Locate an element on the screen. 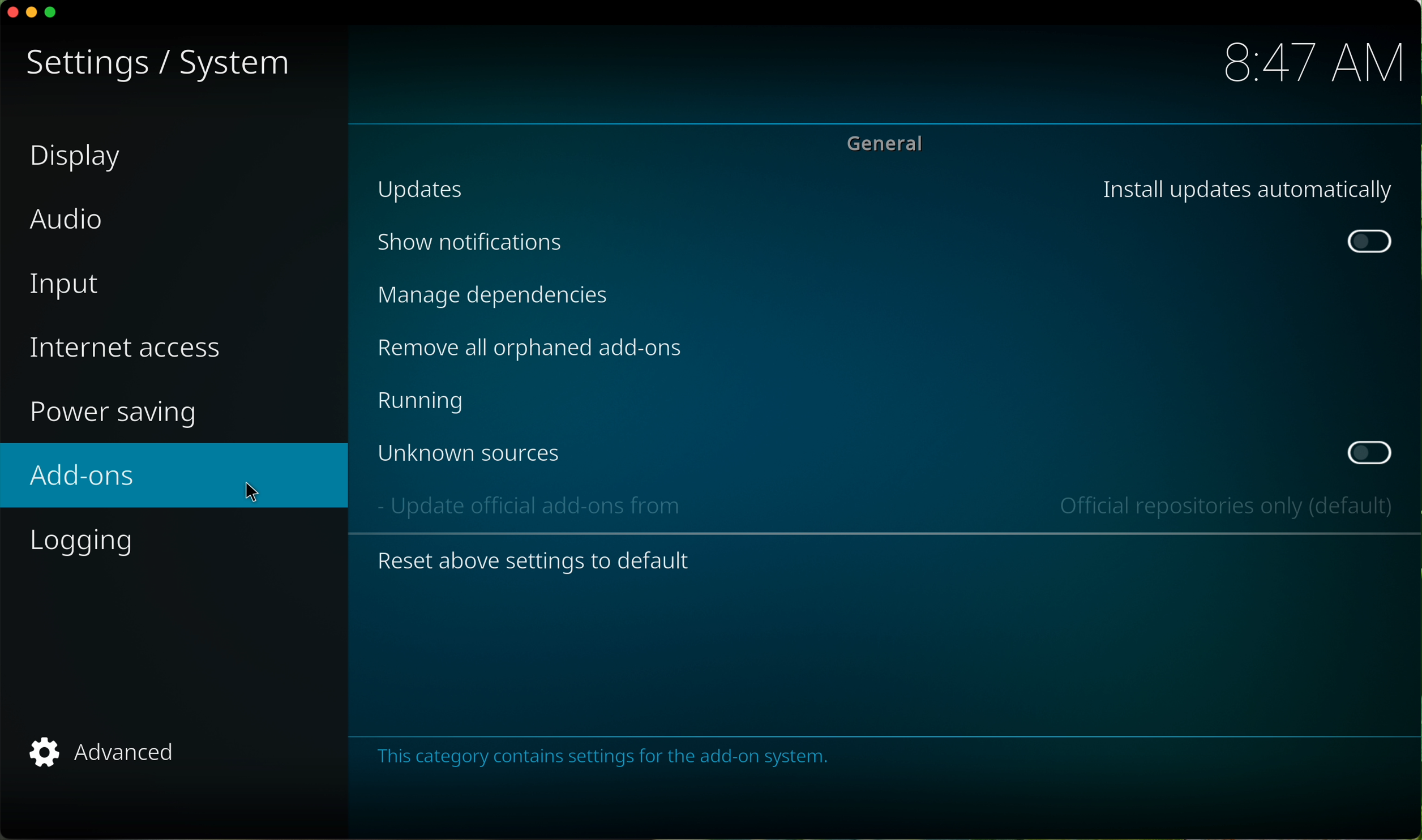  - Update official add-ons from Official repositories only (default) is located at coordinates (894, 508).